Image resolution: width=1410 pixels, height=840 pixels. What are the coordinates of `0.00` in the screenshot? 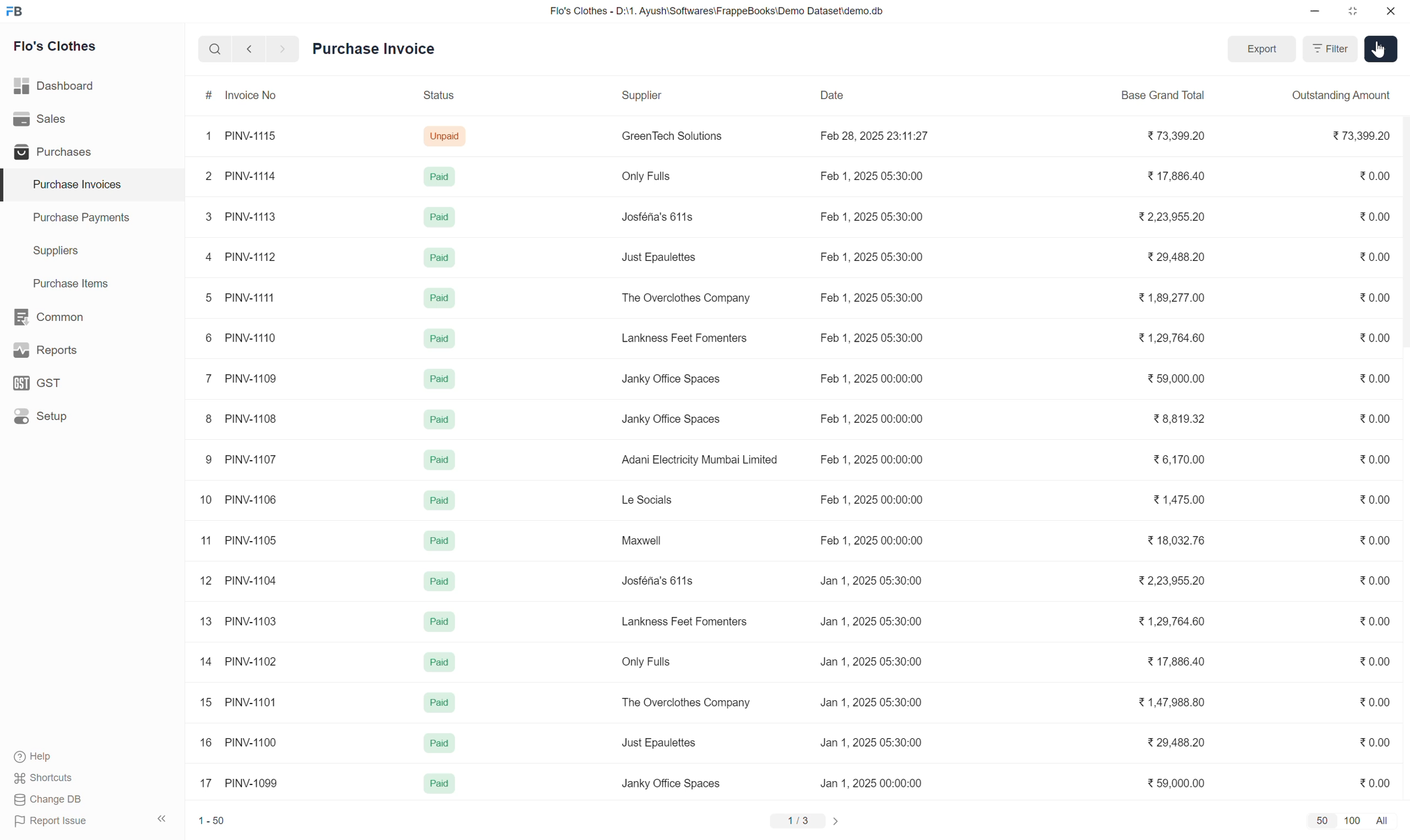 It's located at (1375, 500).